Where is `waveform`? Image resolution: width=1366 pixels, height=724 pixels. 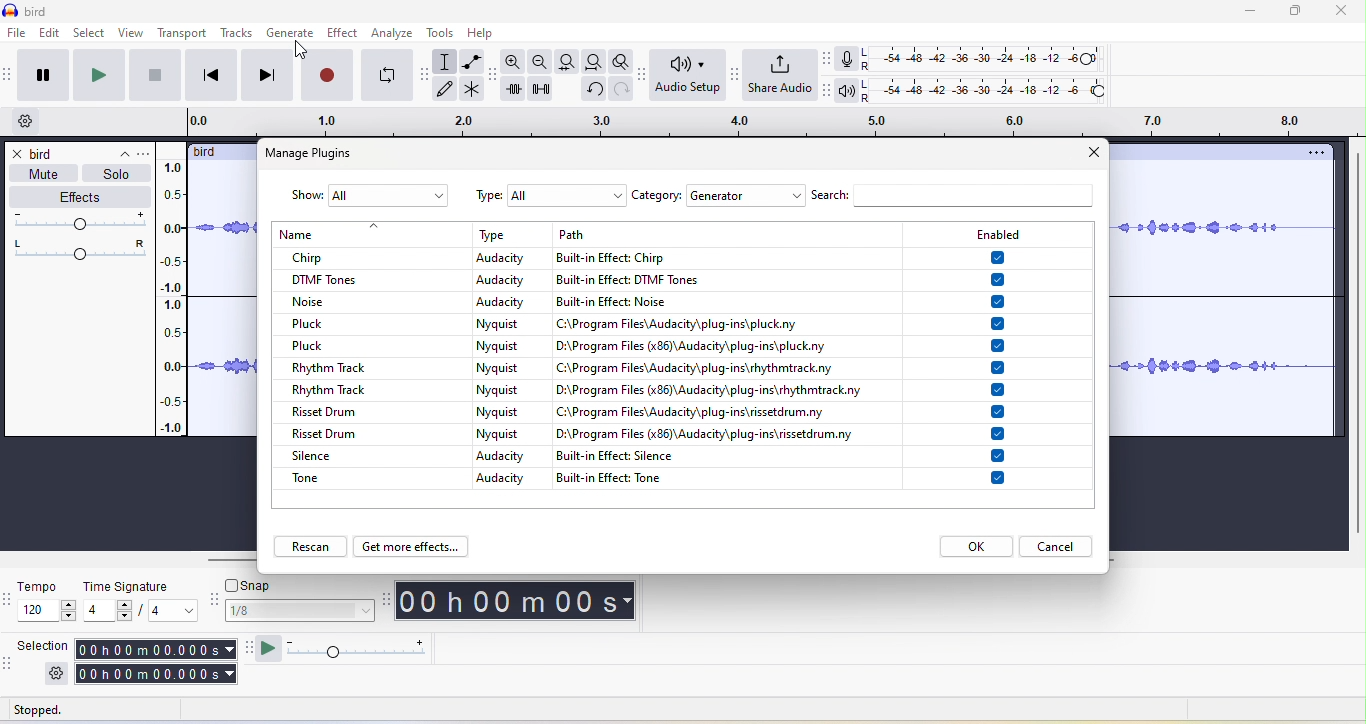
waveform is located at coordinates (222, 299).